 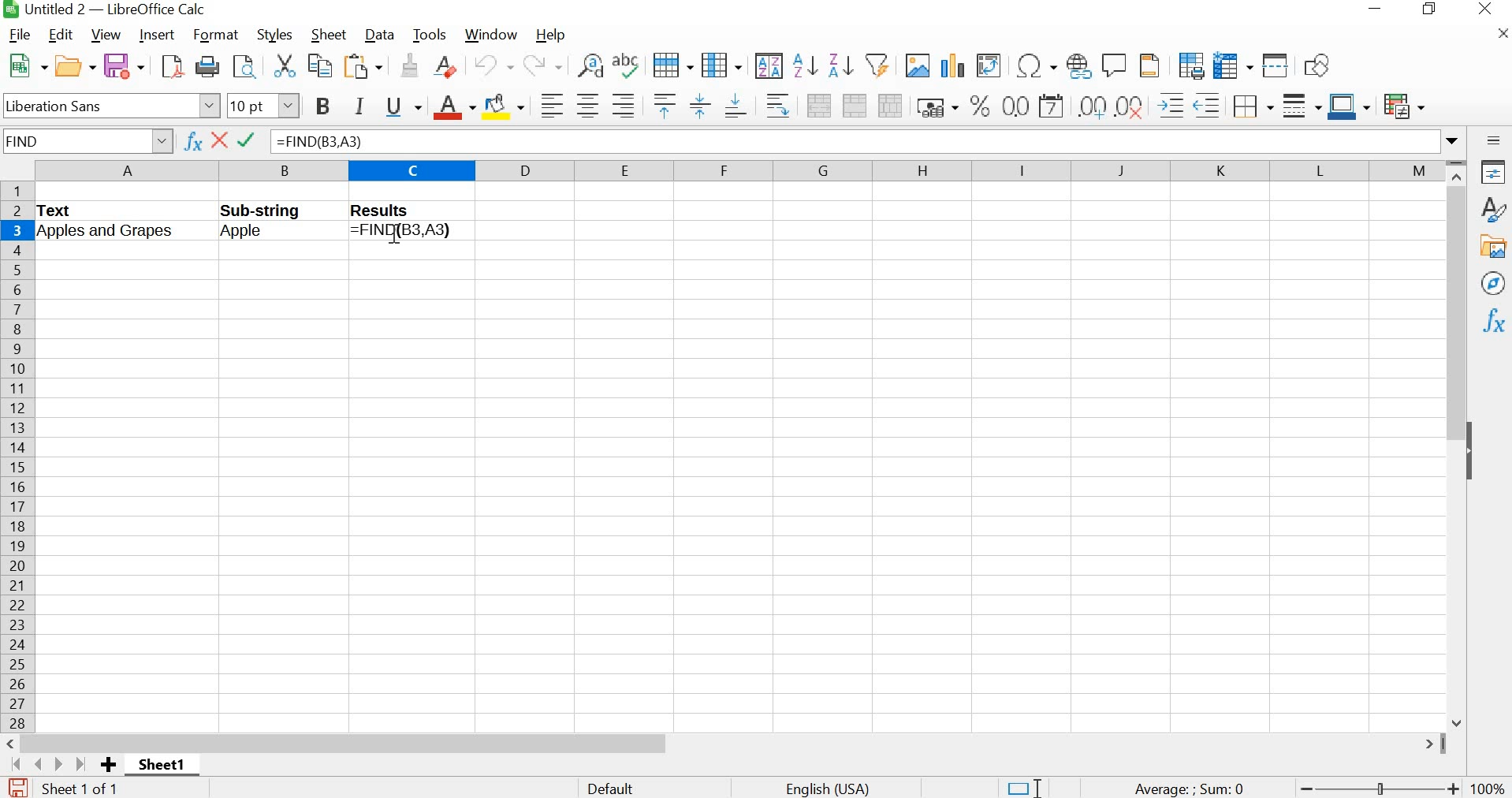 I want to click on merge cells, so click(x=855, y=104).